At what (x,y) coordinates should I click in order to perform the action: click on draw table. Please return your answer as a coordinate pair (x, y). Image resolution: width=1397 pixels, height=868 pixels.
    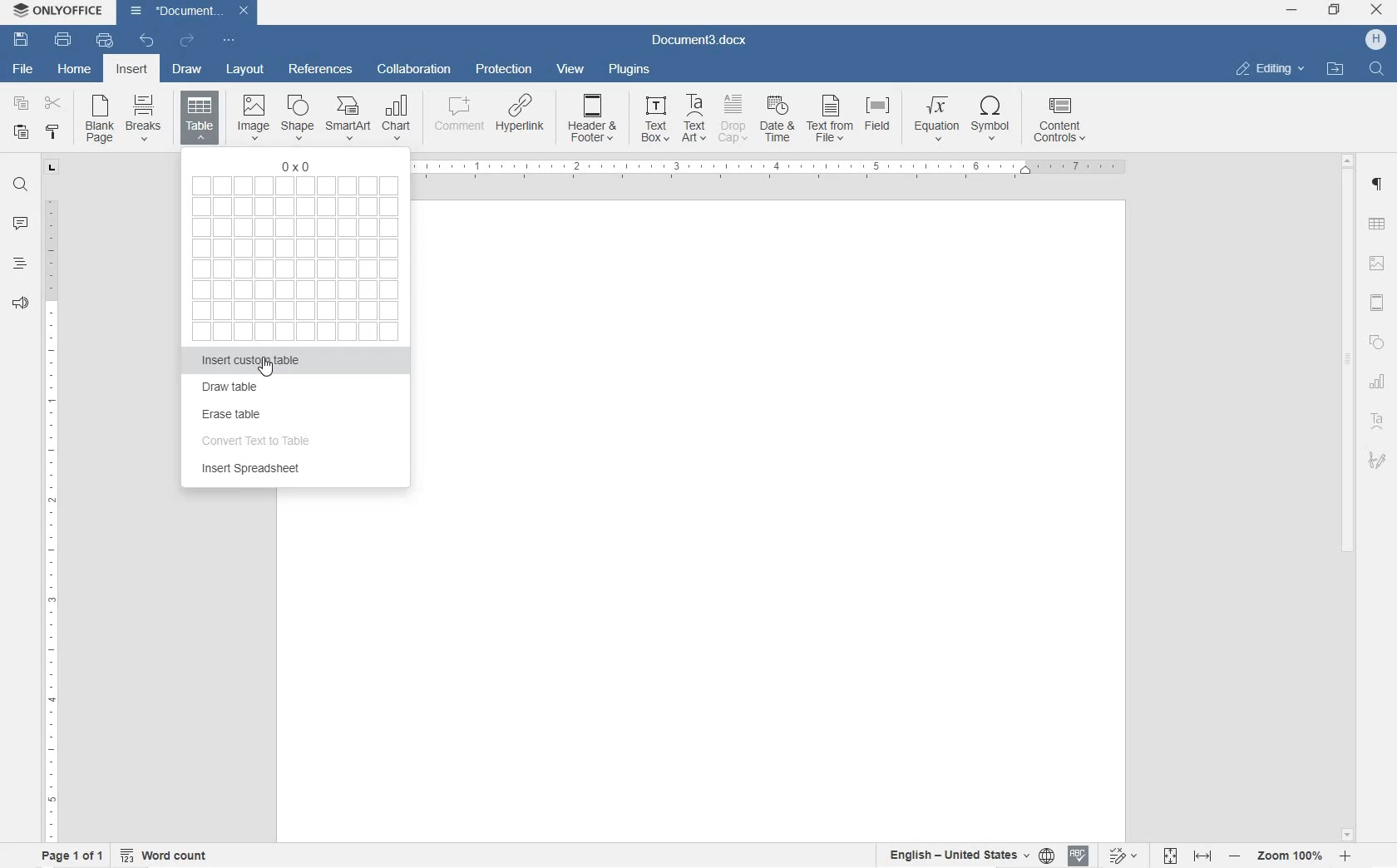
    Looking at the image, I should click on (231, 387).